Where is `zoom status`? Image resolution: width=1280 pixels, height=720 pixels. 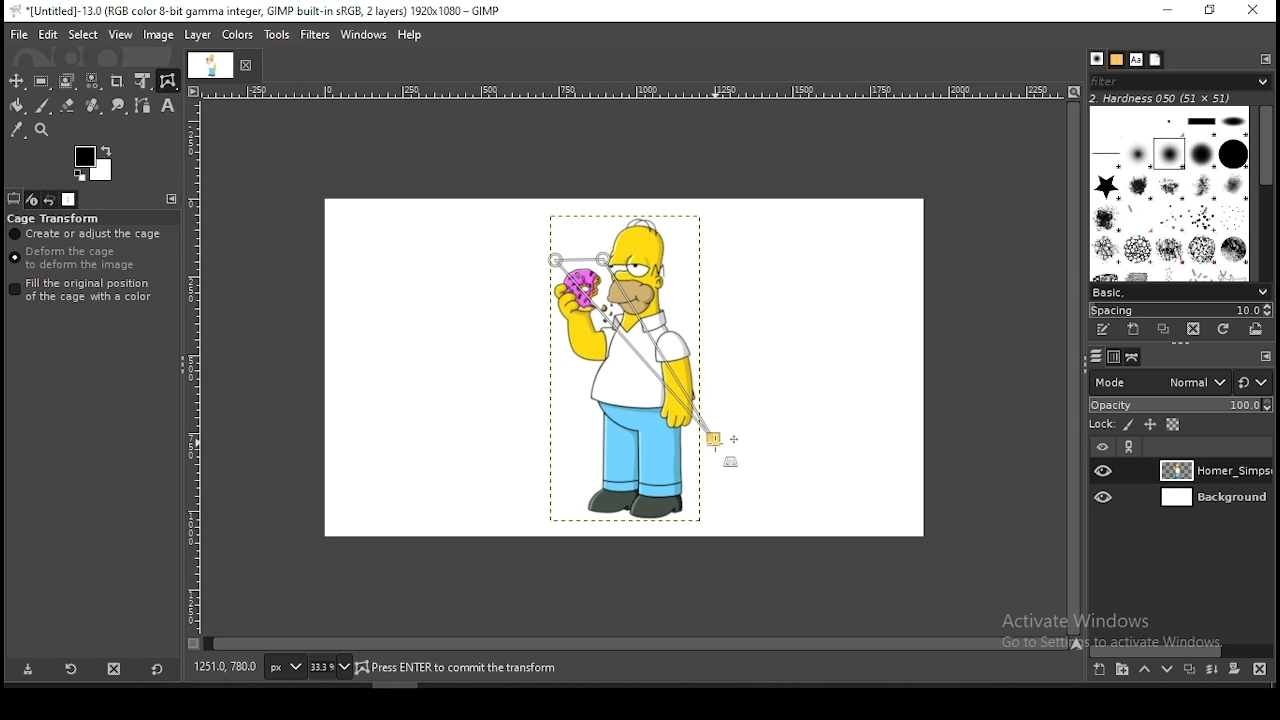 zoom status is located at coordinates (329, 667).